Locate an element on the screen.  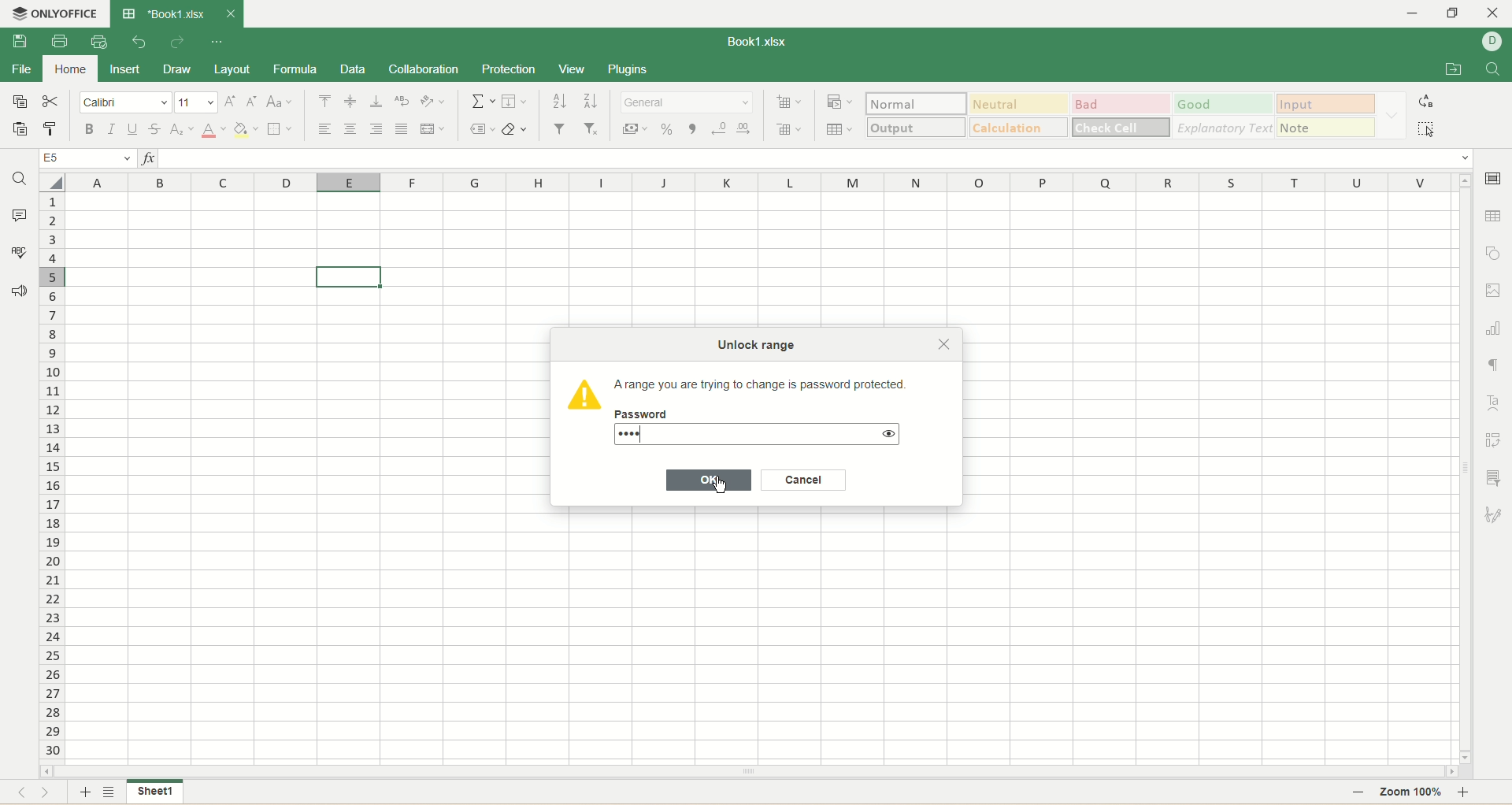
OK is located at coordinates (708, 481).